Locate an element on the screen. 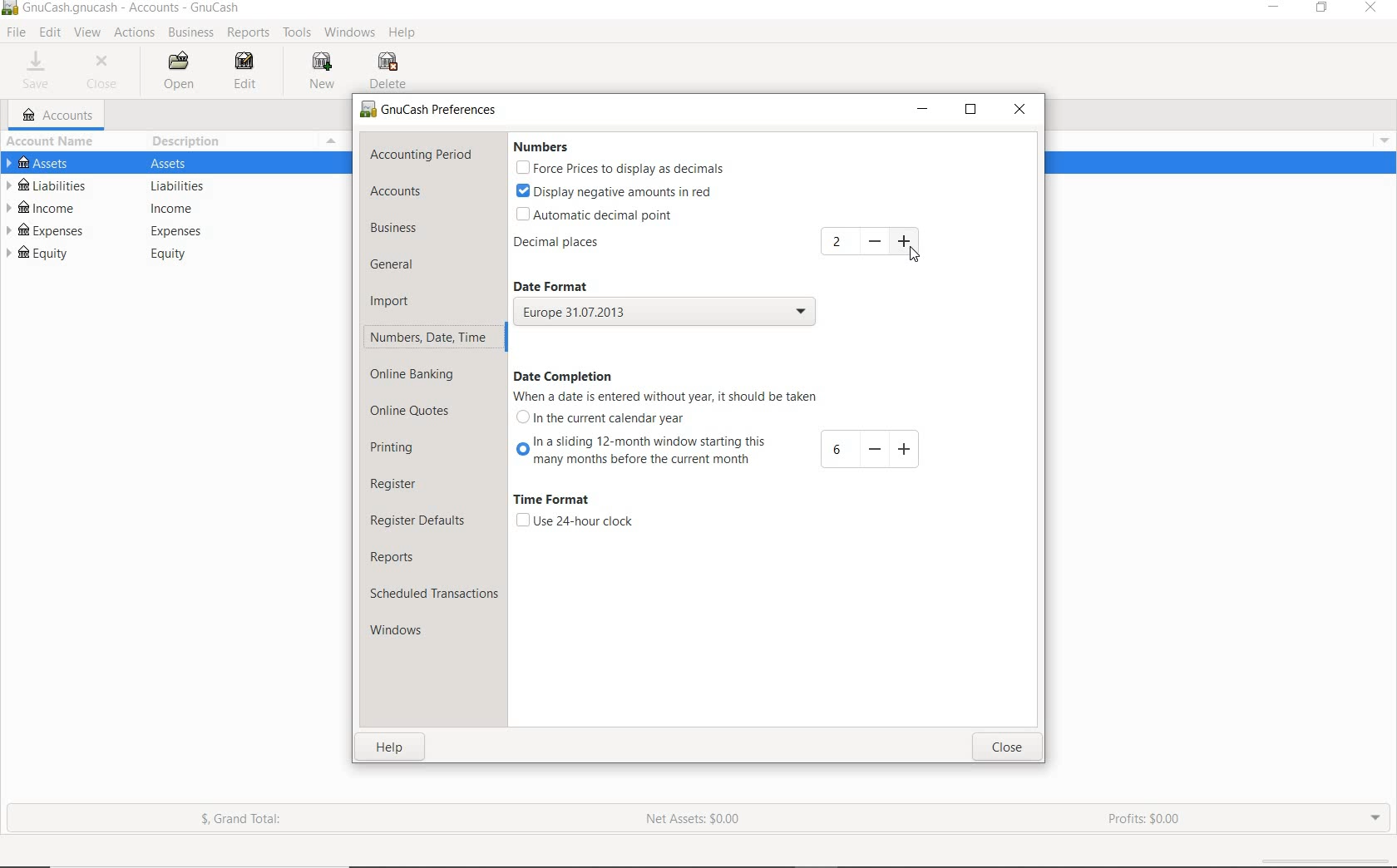 The height and width of the screenshot is (868, 1397). ASSETS is located at coordinates (177, 162).